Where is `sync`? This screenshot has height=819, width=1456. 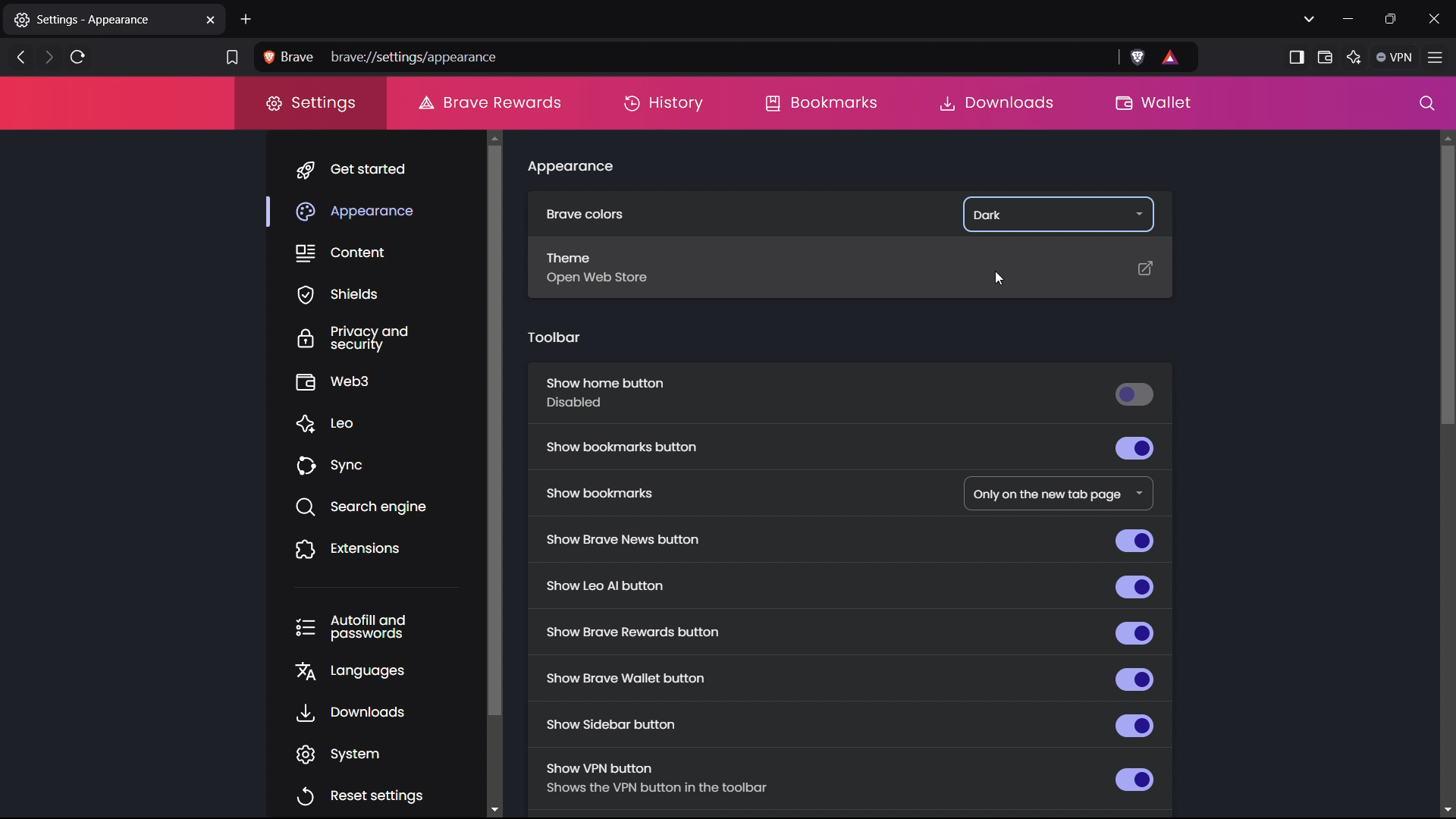
sync is located at coordinates (384, 465).